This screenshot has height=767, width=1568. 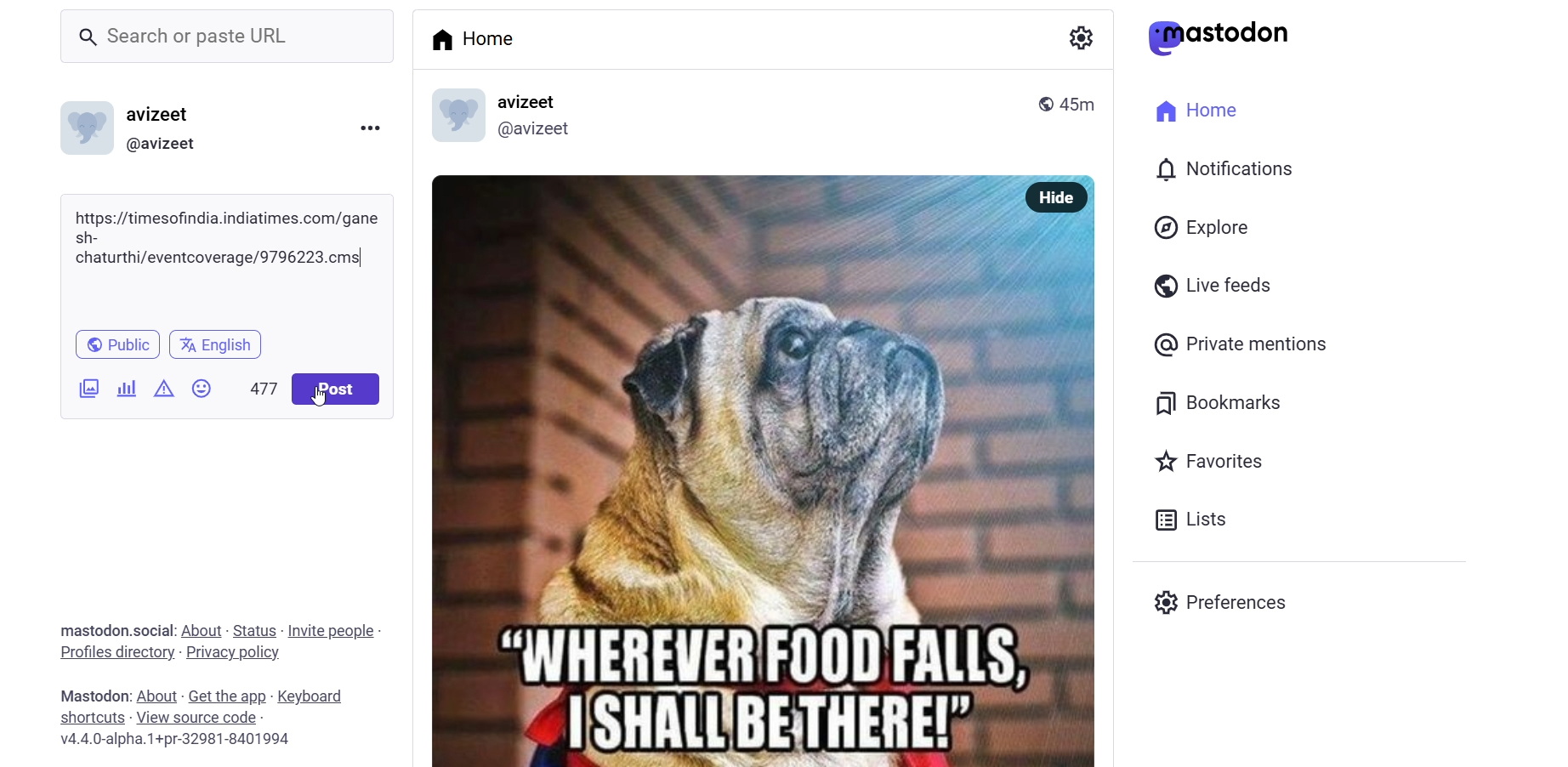 I want to click on  Public, so click(x=120, y=344).